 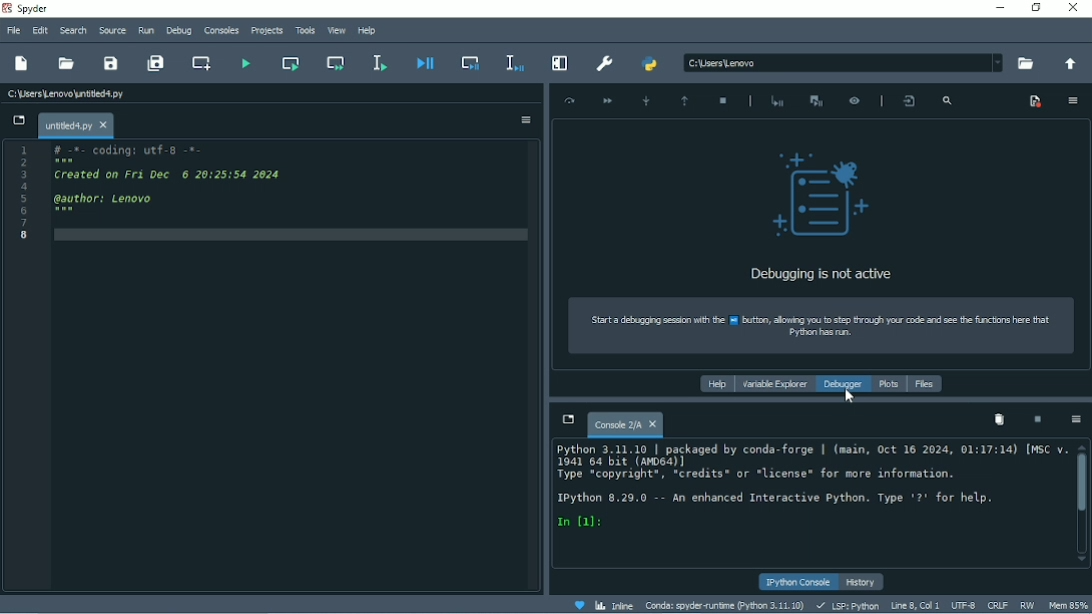 What do you see at coordinates (73, 30) in the screenshot?
I see `Search` at bounding box center [73, 30].